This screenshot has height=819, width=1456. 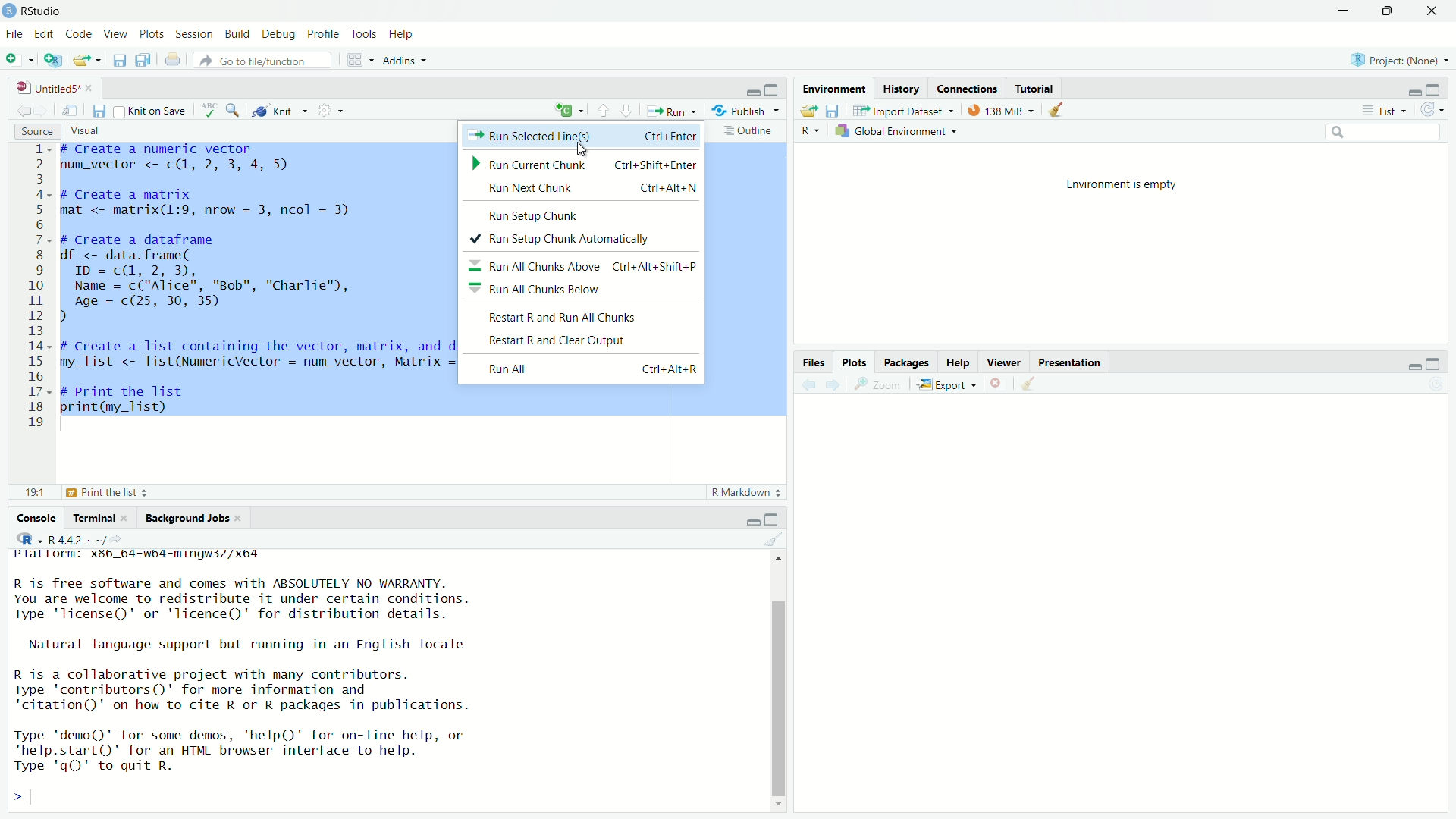 I want to click on Run Current Chunk ~~ Ctrl+Shift+Enter, so click(x=582, y=165).